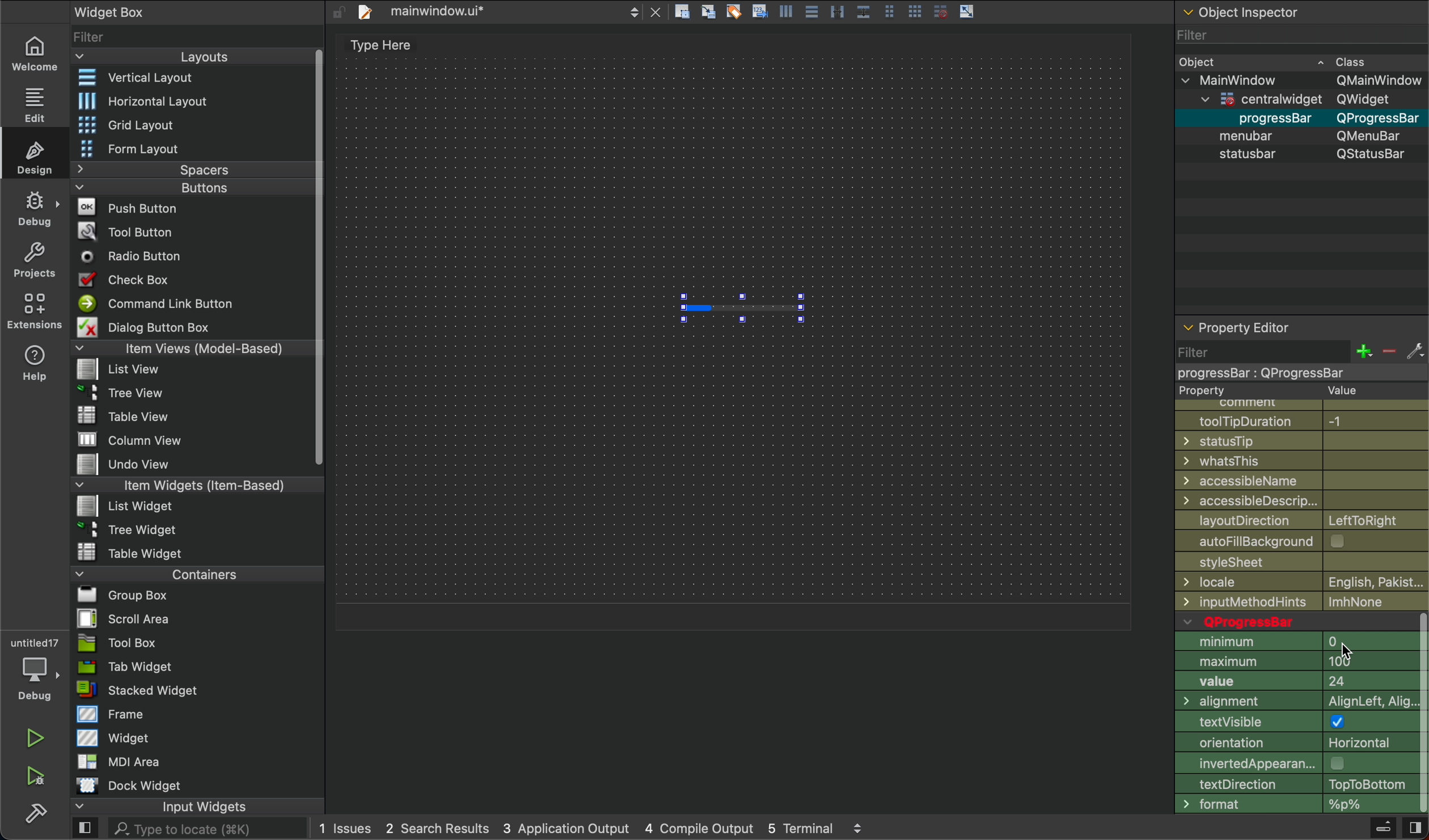  What do you see at coordinates (1280, 391) in the screenshot?
I see `property` at bounding box center [1280, 391].